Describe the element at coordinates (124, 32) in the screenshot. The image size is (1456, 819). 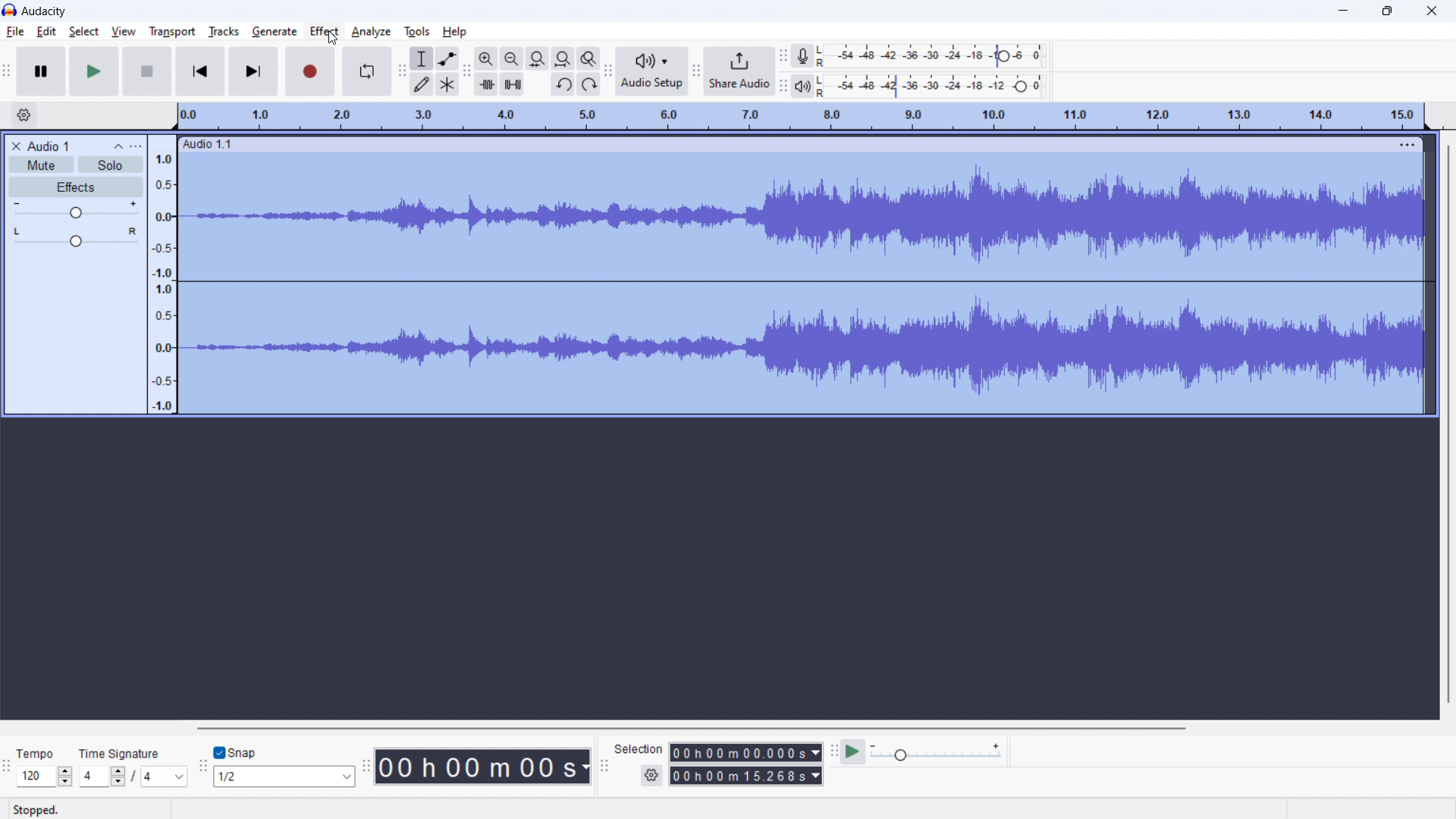
I see `view` at that location.